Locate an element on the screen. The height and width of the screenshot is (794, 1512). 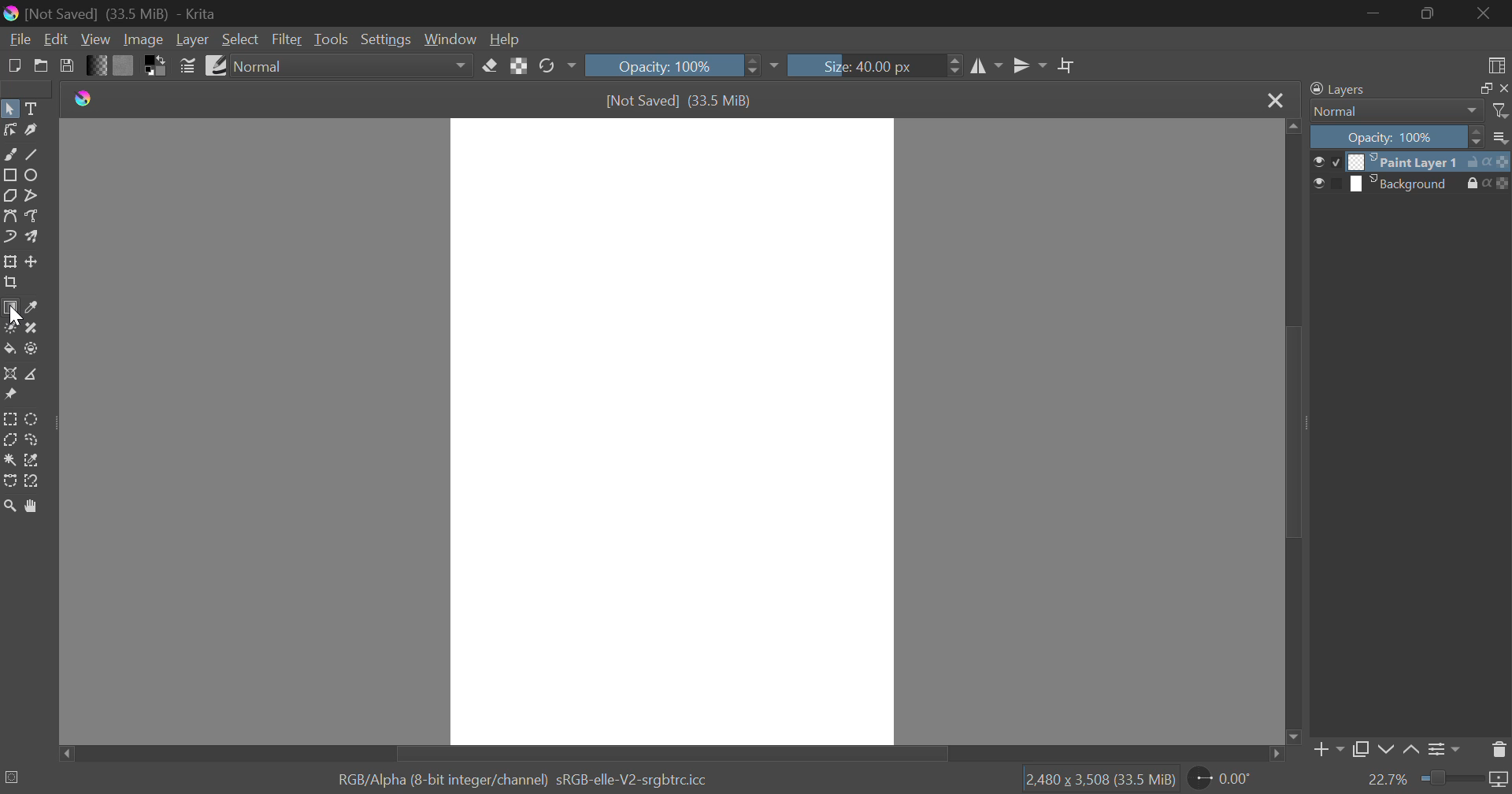
Image is located at coordinates (142, 39).